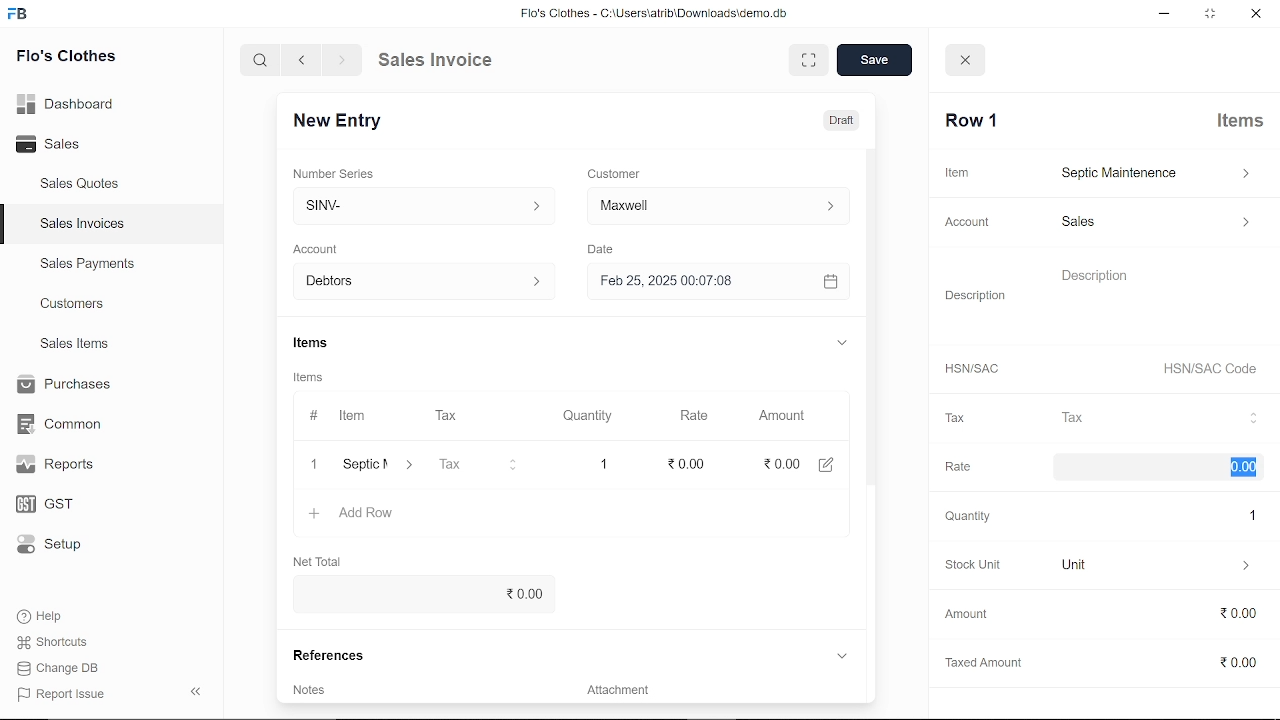 The width and height of the screenshot is (1280, 720). I want to click on 1, so click(602, 461).